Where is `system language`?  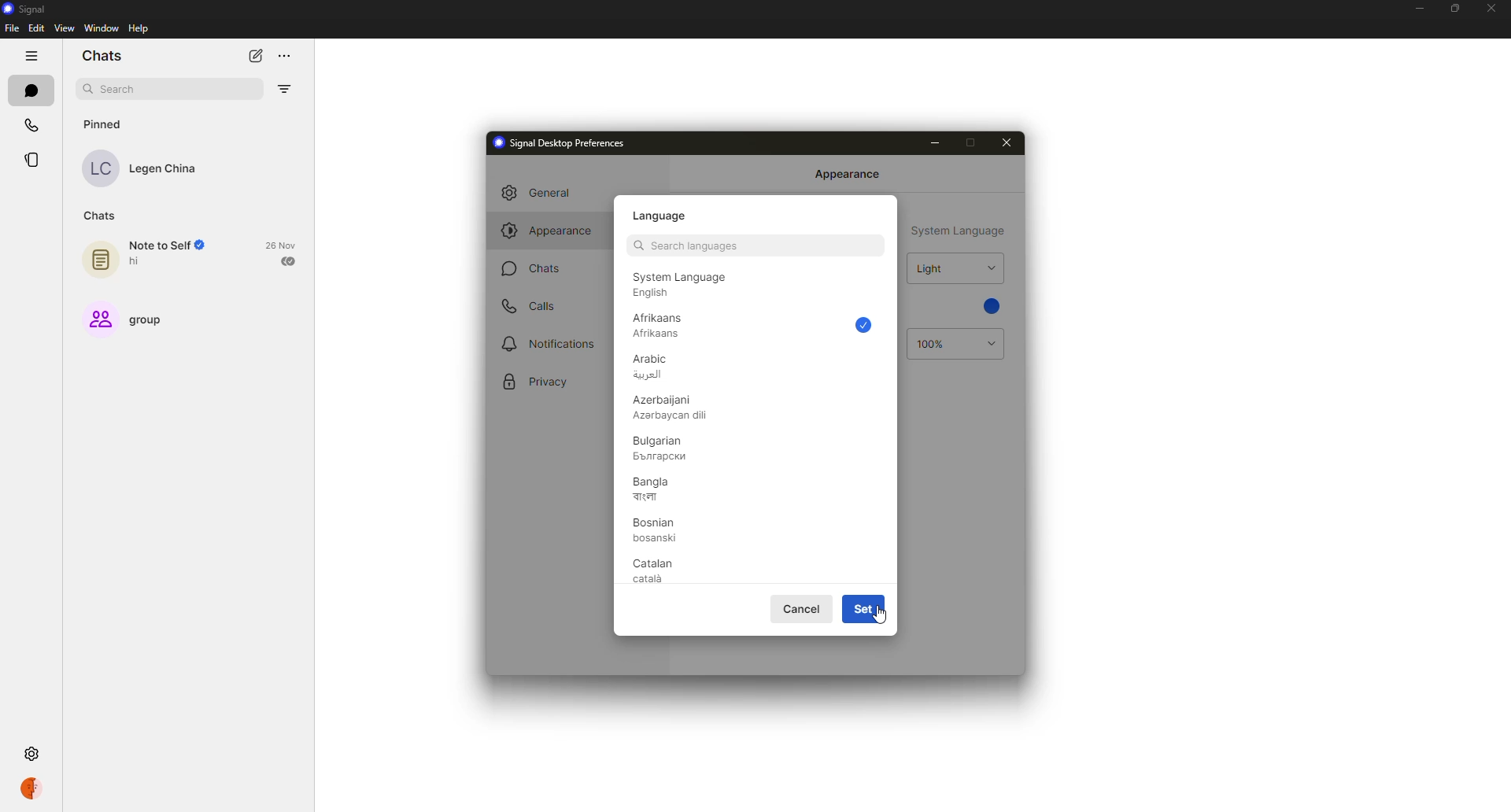
system language is located at coordinates (959, 231).